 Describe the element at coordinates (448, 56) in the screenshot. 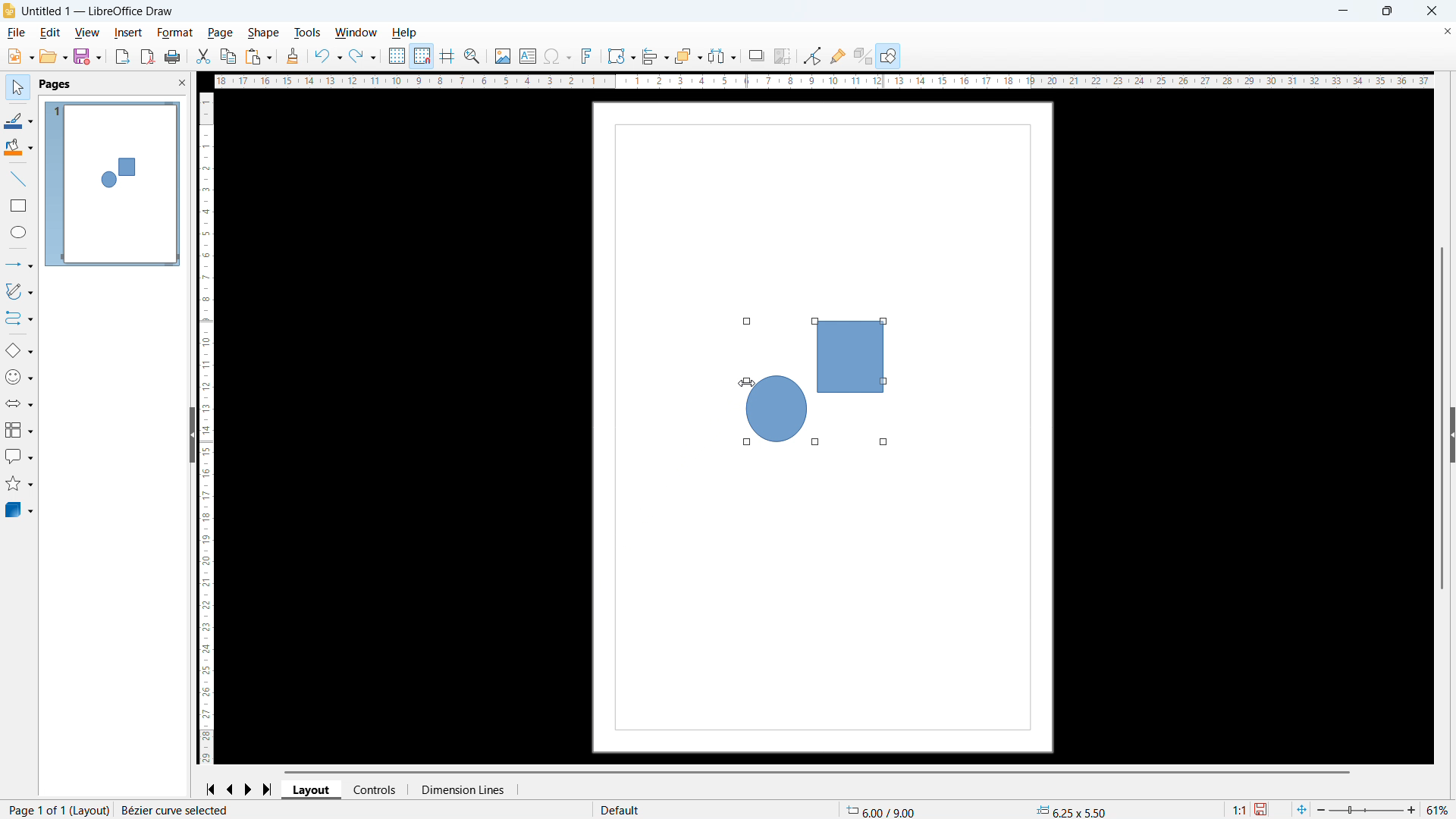

I see `Guidelines while moving ` at that location.